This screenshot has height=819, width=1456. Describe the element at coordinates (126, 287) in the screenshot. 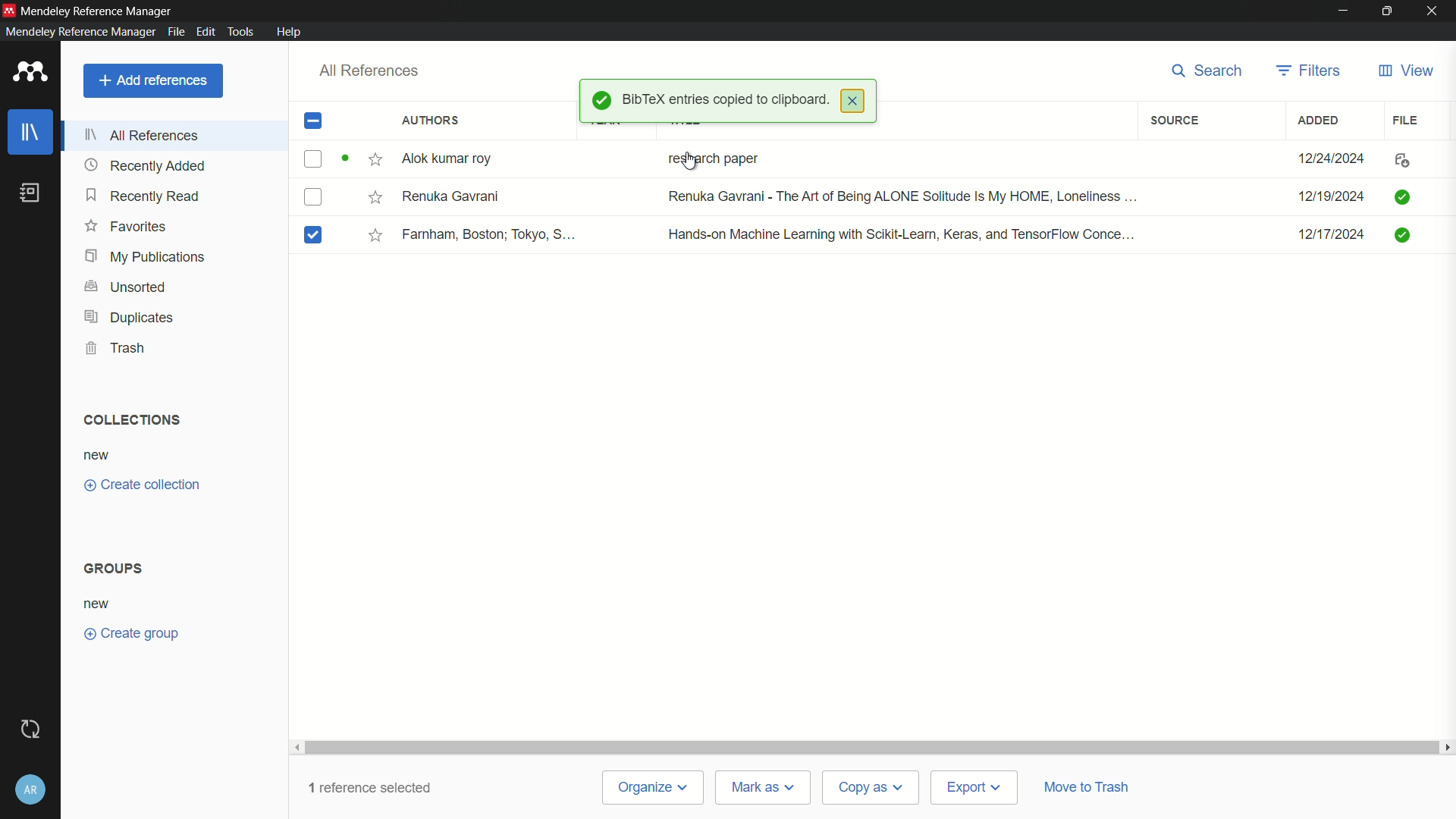

I see `unsorted` at that location.